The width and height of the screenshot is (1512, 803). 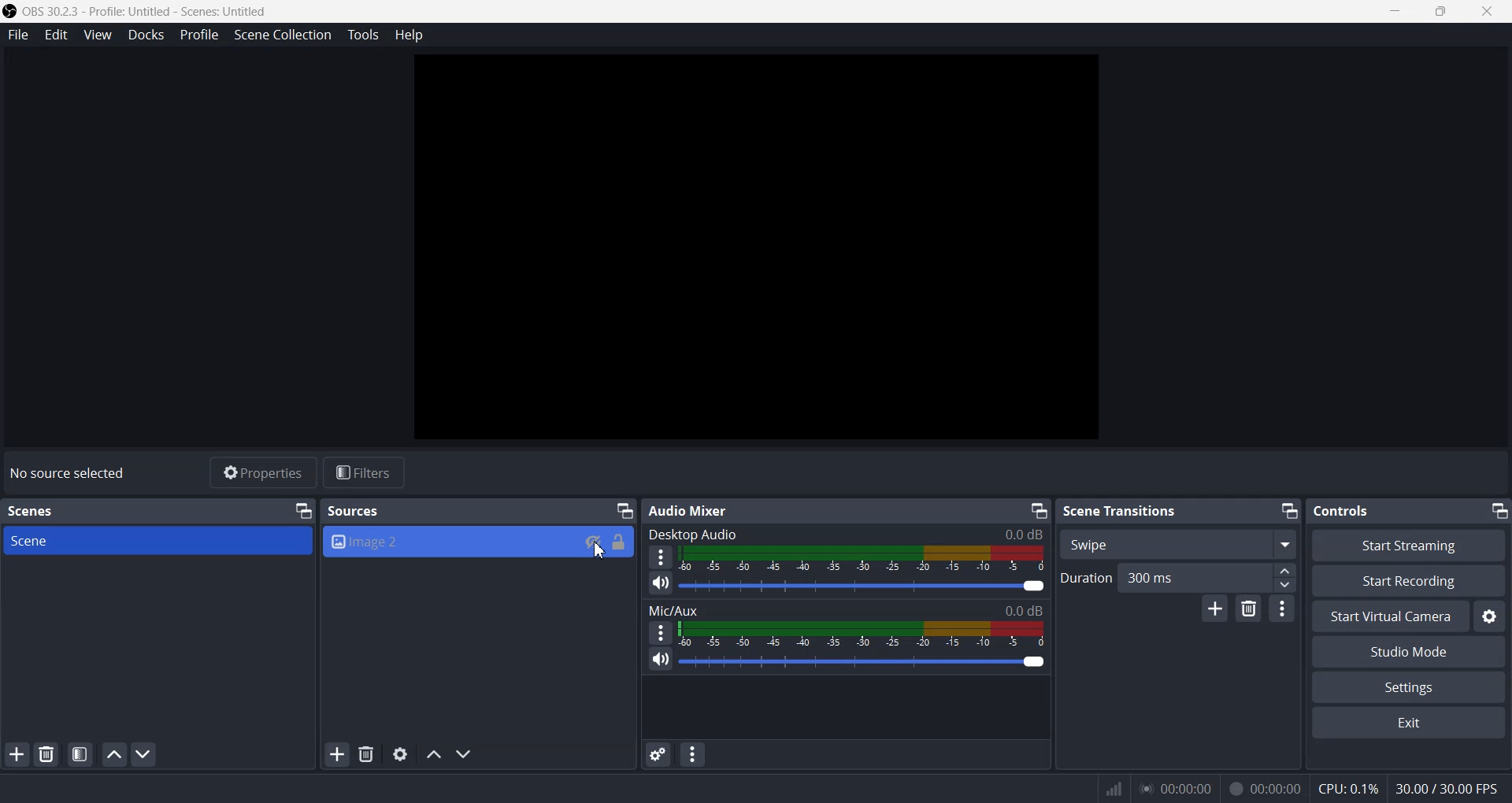 What do you see at coordinates (697, 753) in the screenshot?
I see `Audio mixer menu` at bounding box center [697, 753].